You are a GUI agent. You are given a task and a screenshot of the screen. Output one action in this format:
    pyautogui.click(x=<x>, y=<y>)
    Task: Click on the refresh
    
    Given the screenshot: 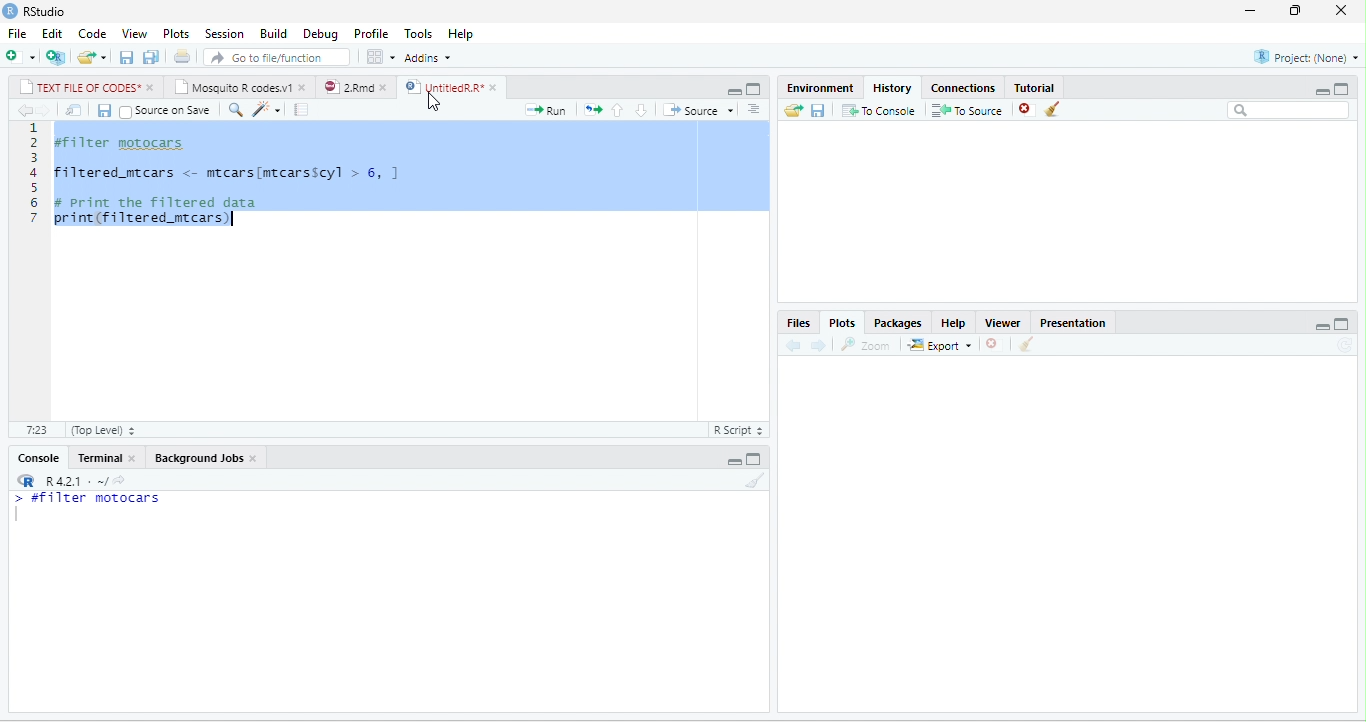 What is the action you would take?
    pyautogui.click(x=1345, y=345)
    